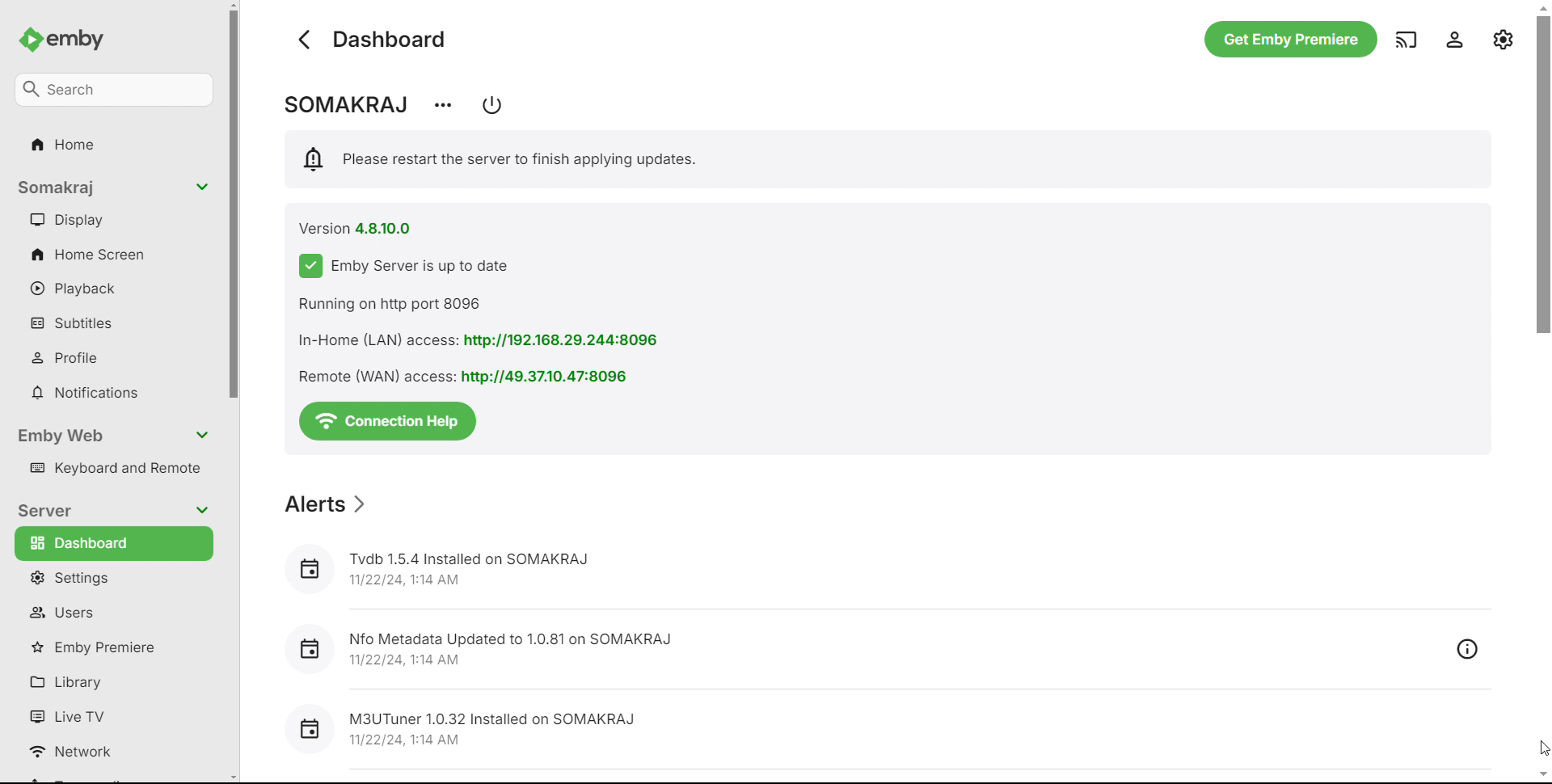 Image resolution: width=1552 pixels, height=784 pixels. Describe the element at coordinates (109, 679) in the screenshot. I see `library` at that location.